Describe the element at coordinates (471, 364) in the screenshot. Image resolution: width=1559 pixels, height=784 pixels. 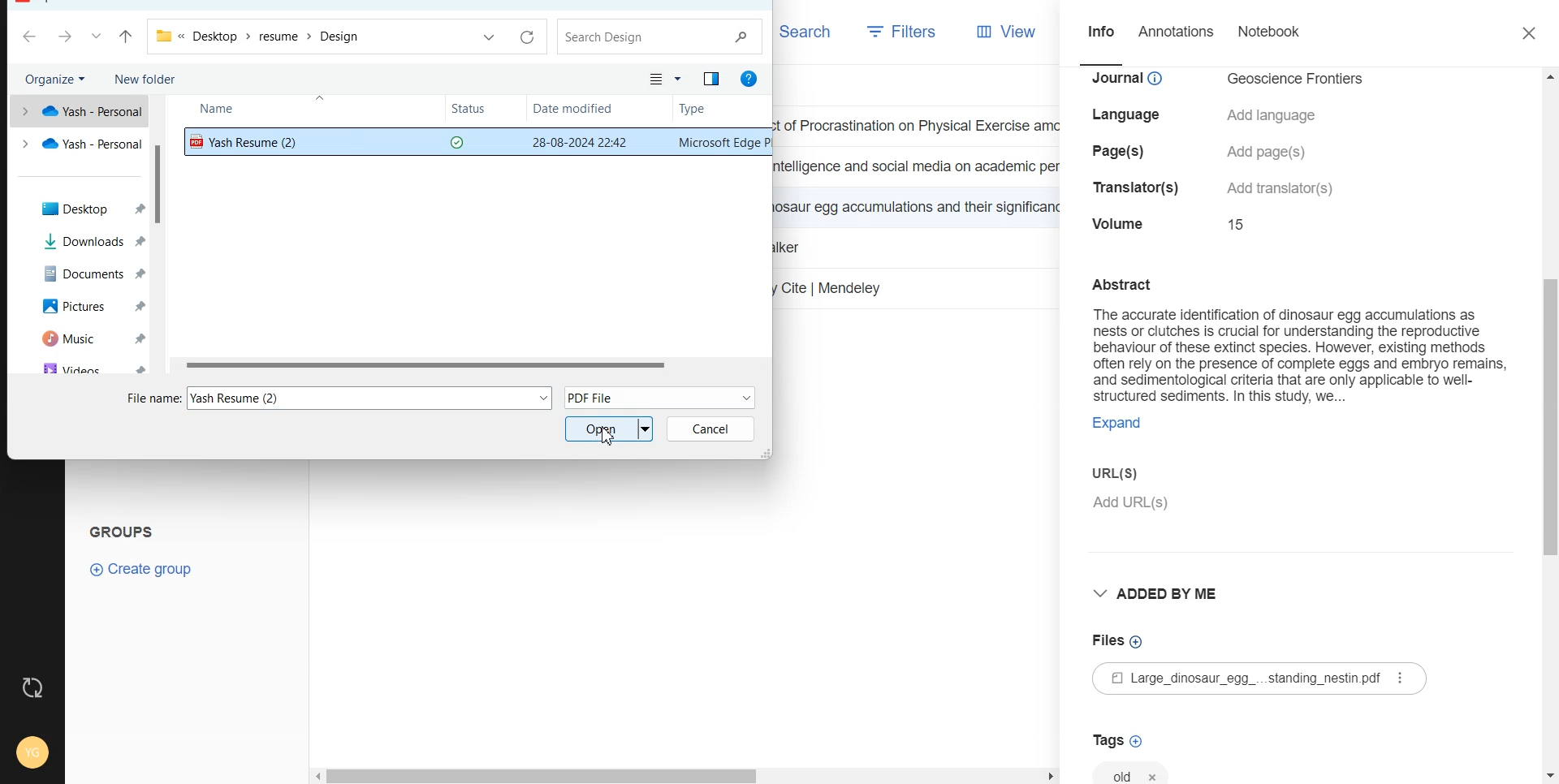
I see `File` at that location.